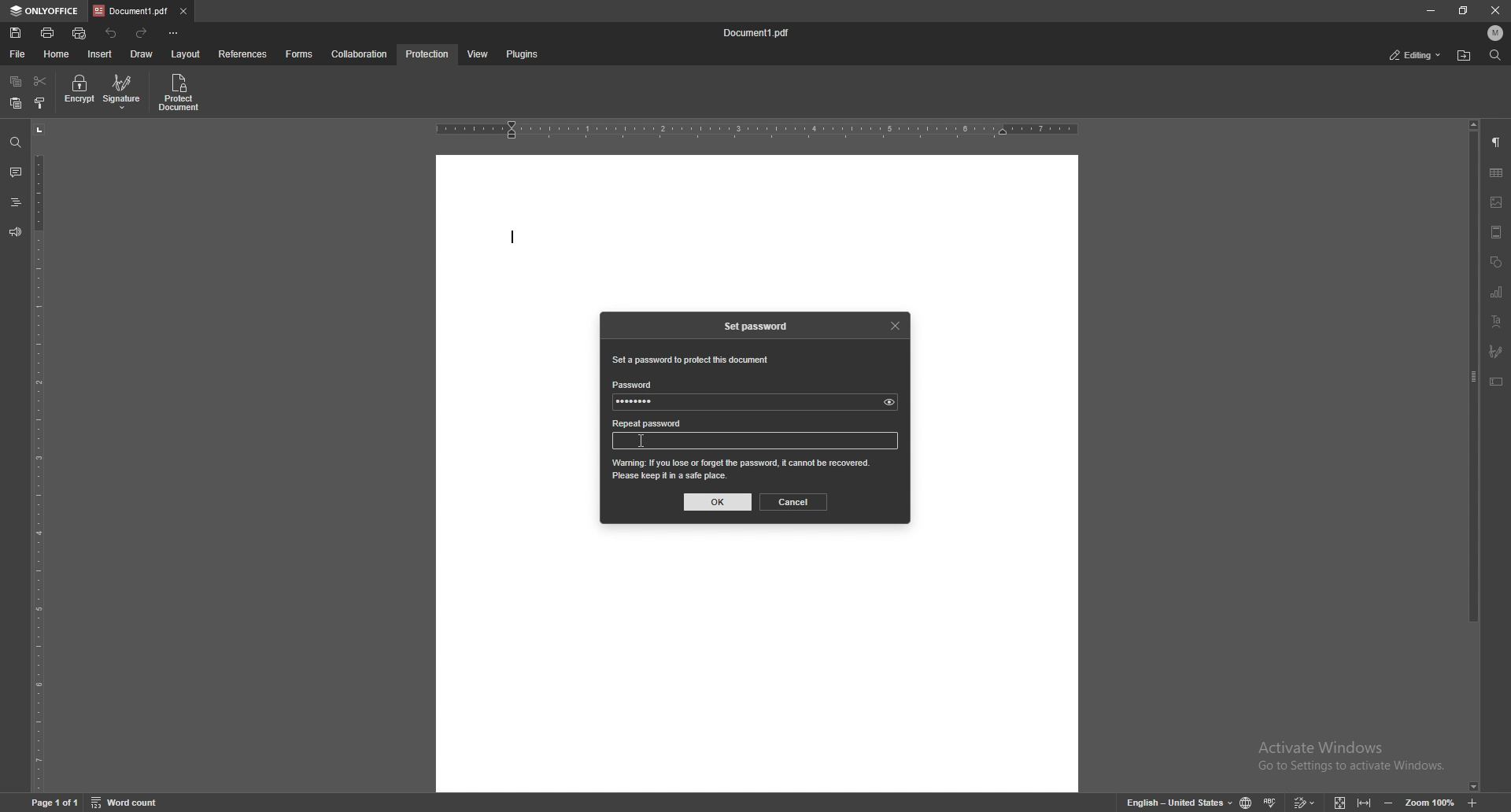 Image resolution: width=1511 pixels, height=812 pixels. I want to click on ok, so click(718, 502).